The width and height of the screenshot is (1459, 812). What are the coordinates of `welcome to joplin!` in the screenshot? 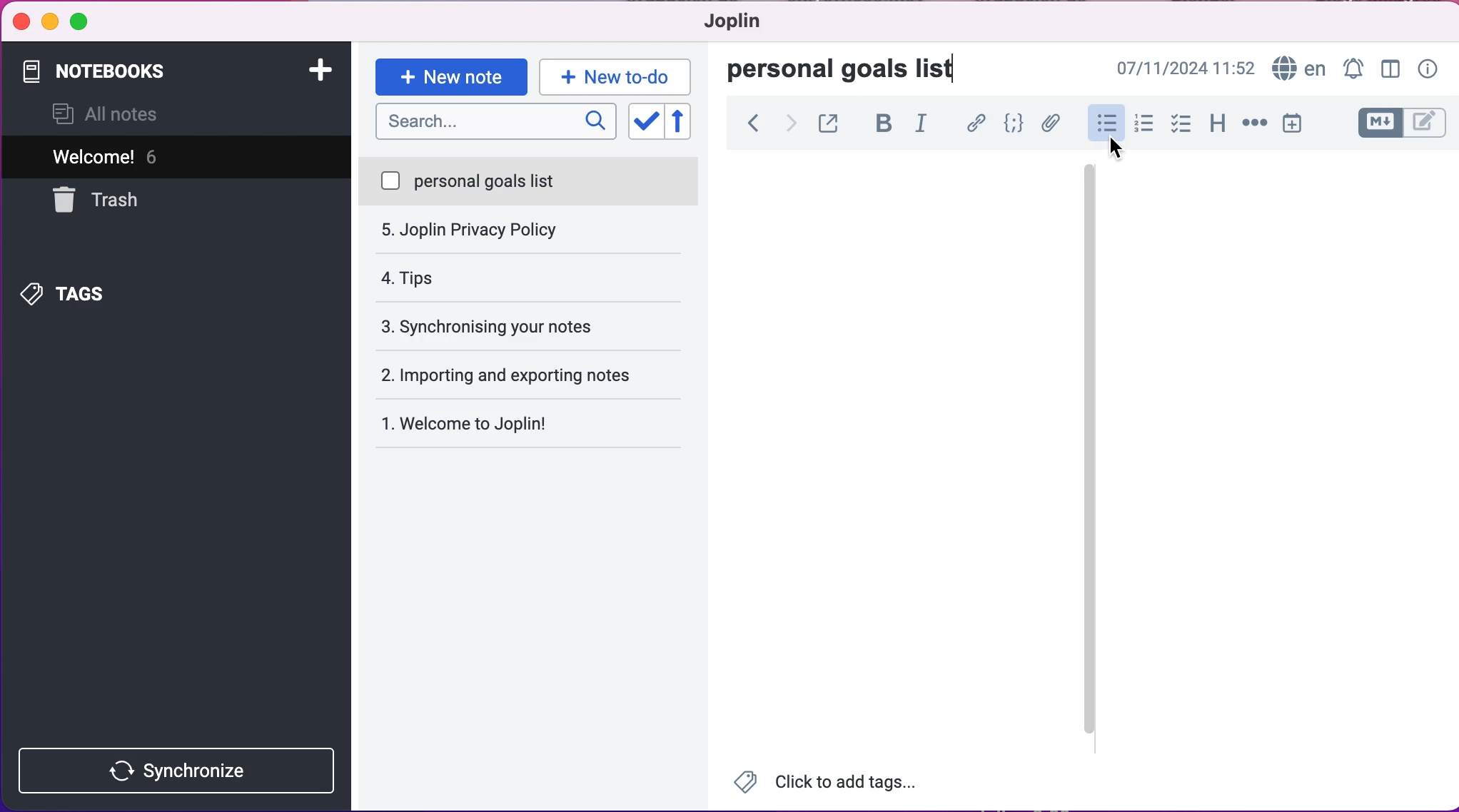 It's located at (495, 377).